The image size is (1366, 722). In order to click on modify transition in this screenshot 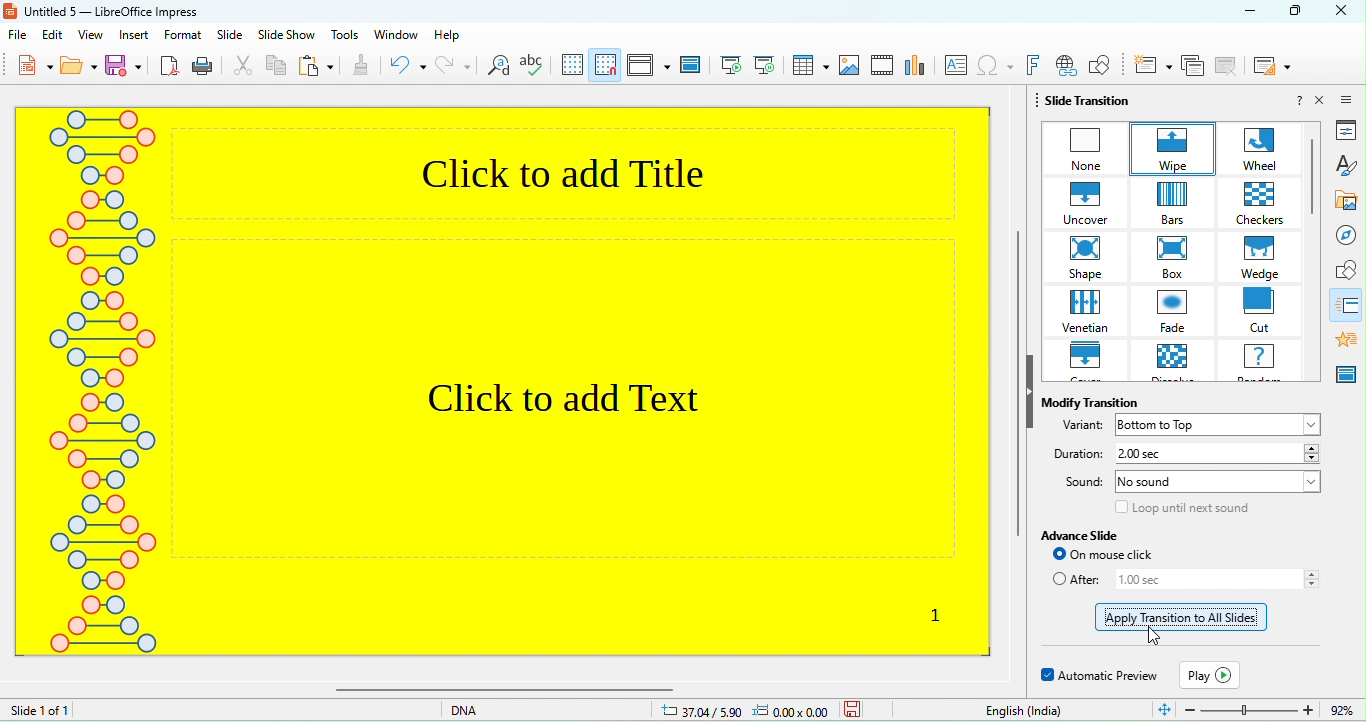, I will do `click(1088, 399)`.